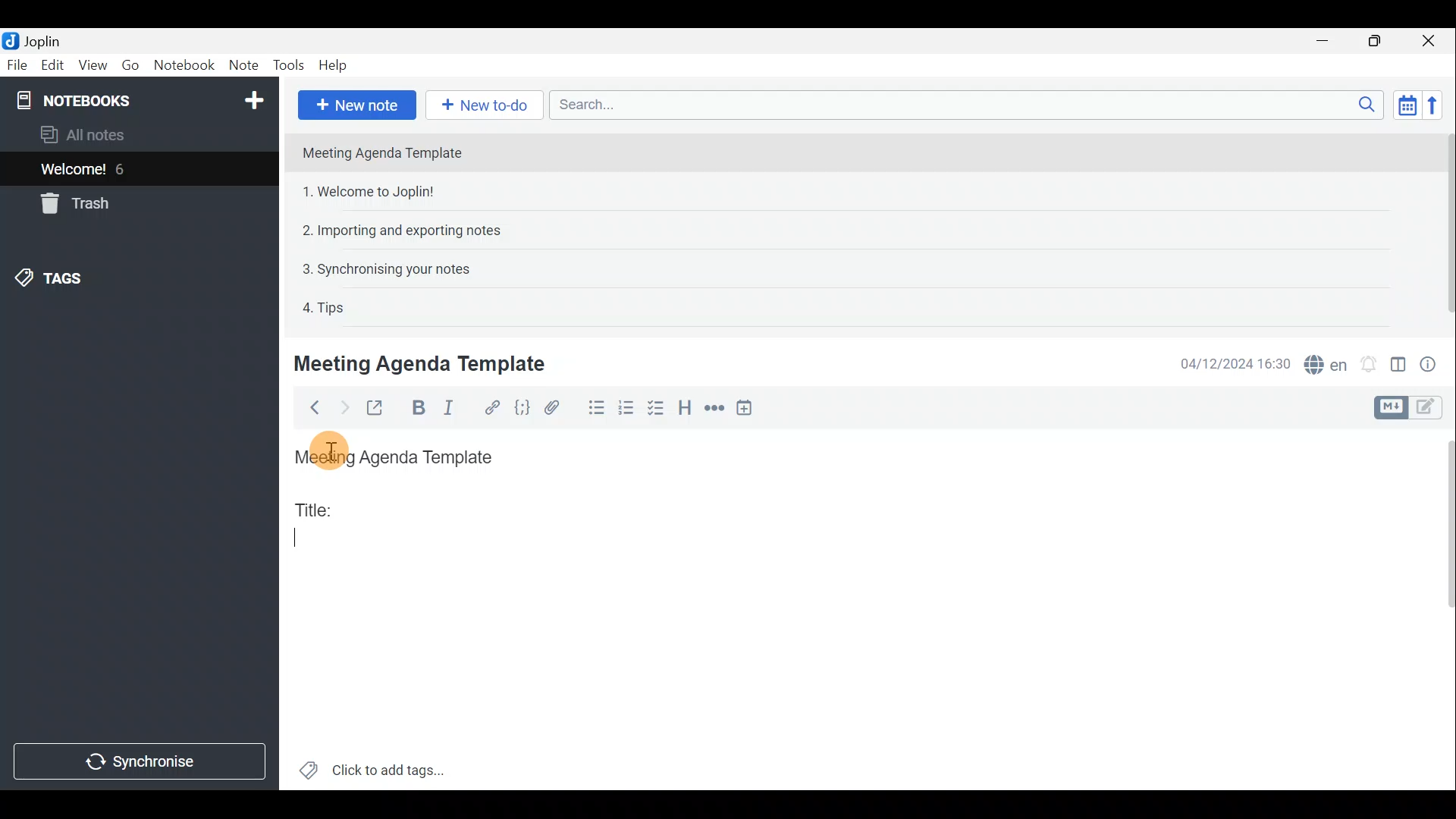 The image size is (1456, 819). What do you see at coordinates (316, 507) in the screenshot?
I see `Title:` at bounding box center [316, 507].